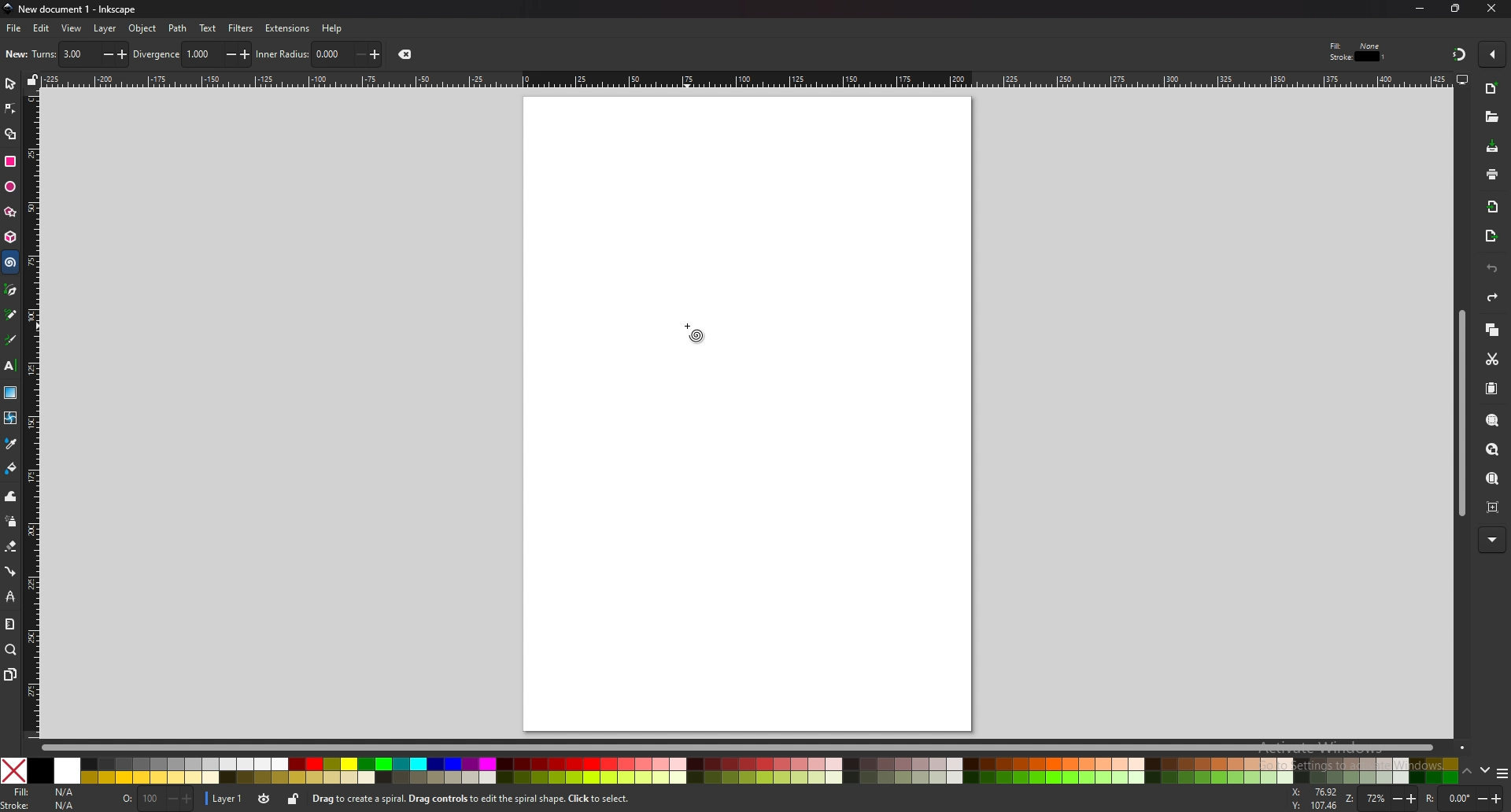 This screenshot has height=812, width=1511. What do you see at coordinates (1493, 360) in the screenshot?
I see `cut` at bounding box center [1493, 360].